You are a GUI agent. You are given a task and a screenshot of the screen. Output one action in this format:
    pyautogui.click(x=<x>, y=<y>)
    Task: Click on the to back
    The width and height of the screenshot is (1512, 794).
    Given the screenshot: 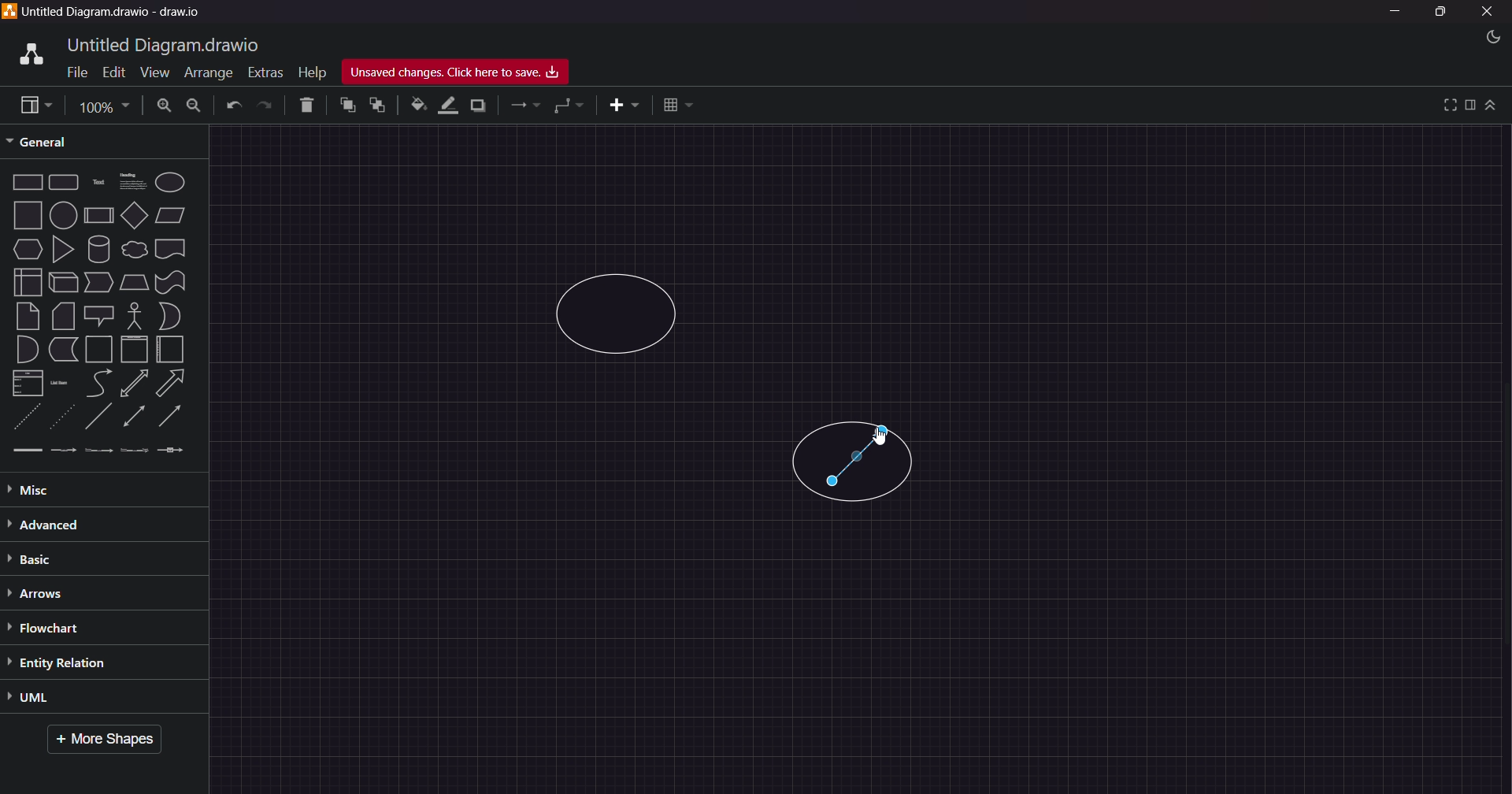 What is the action you would take?
    pyautogui.click(x=375, y=106)
    